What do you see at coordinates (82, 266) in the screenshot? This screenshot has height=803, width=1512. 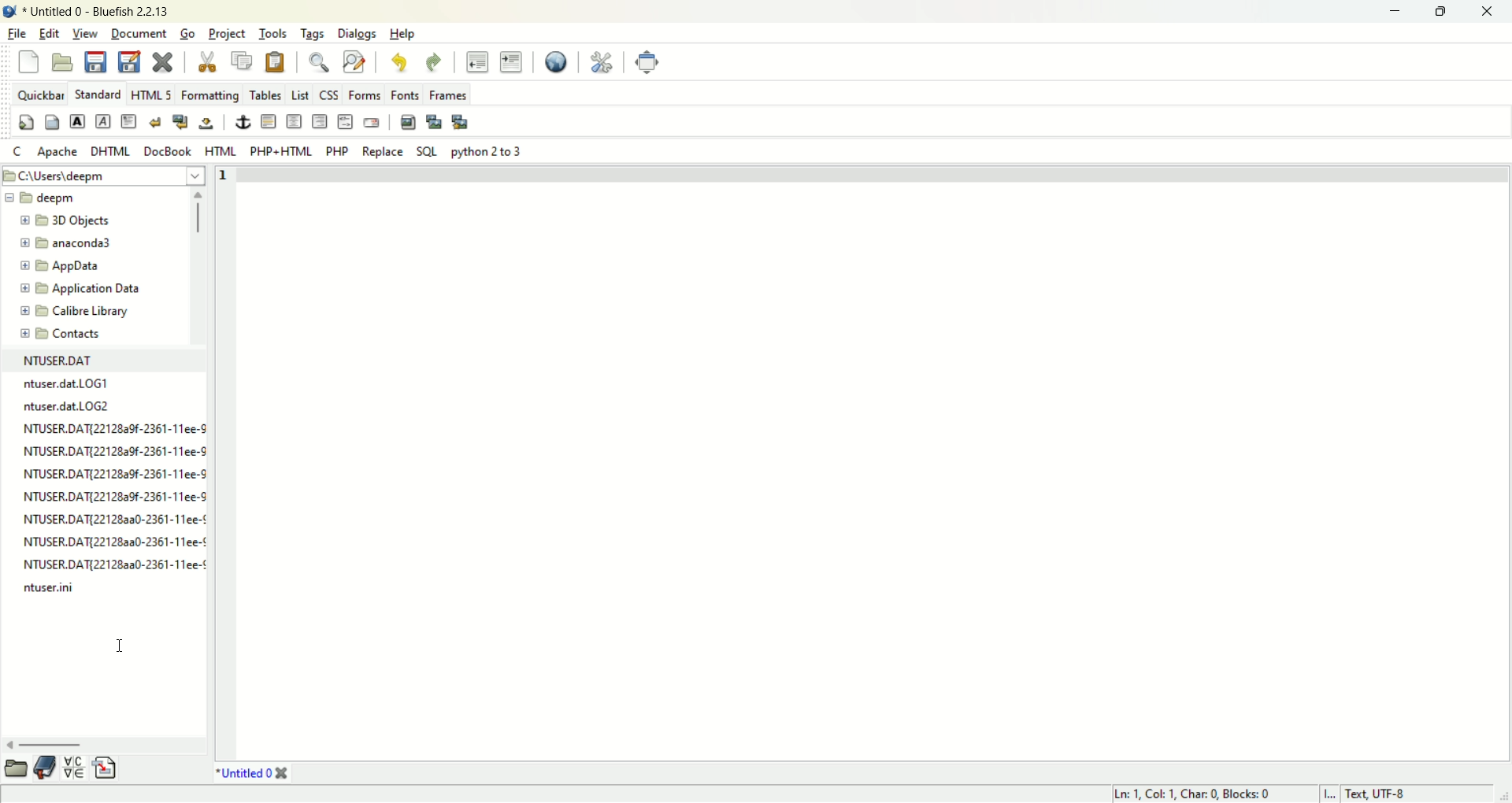 I see `folder name` at bounding box center [82, 266].